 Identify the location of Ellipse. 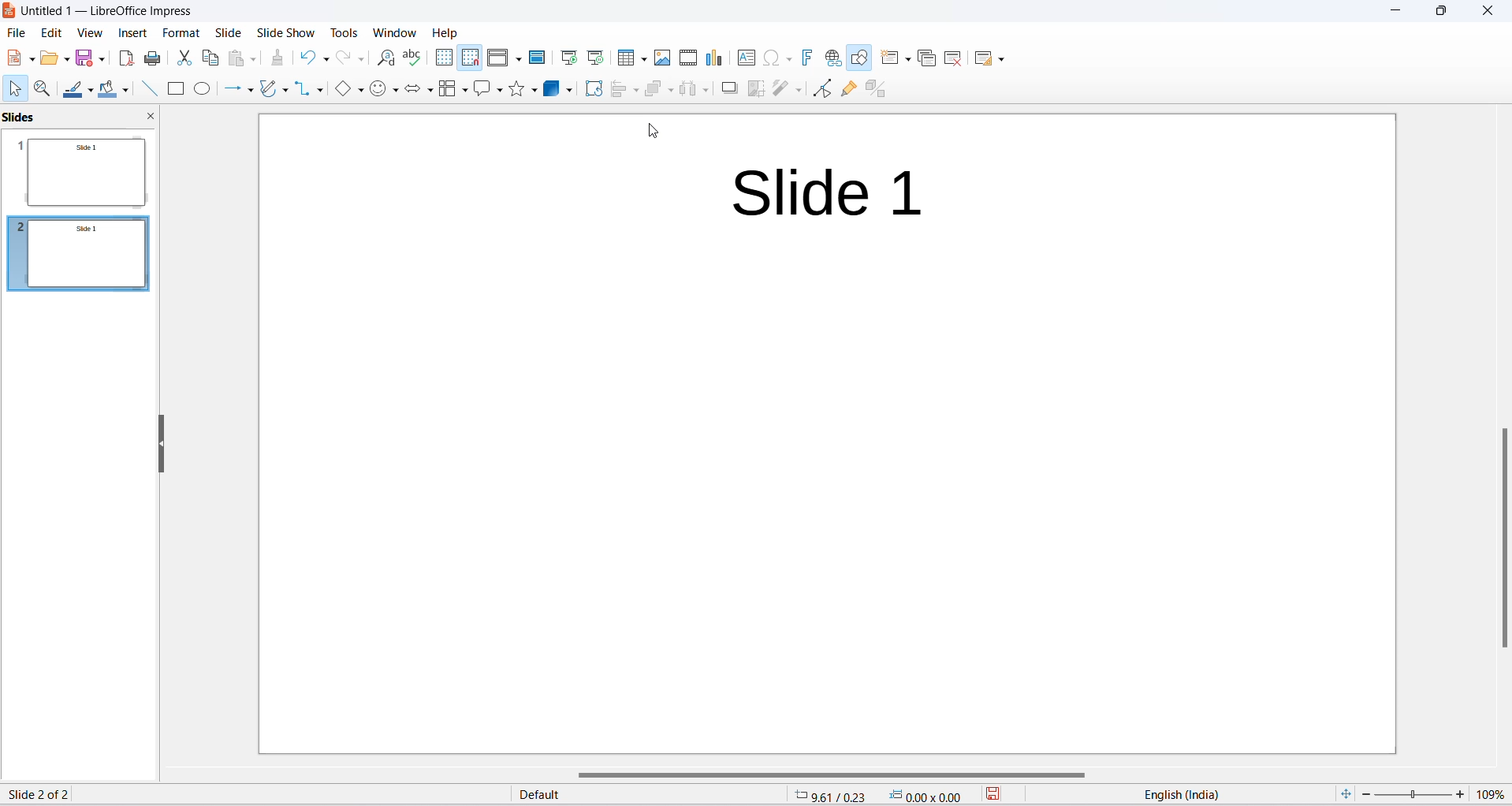
(201, 91).